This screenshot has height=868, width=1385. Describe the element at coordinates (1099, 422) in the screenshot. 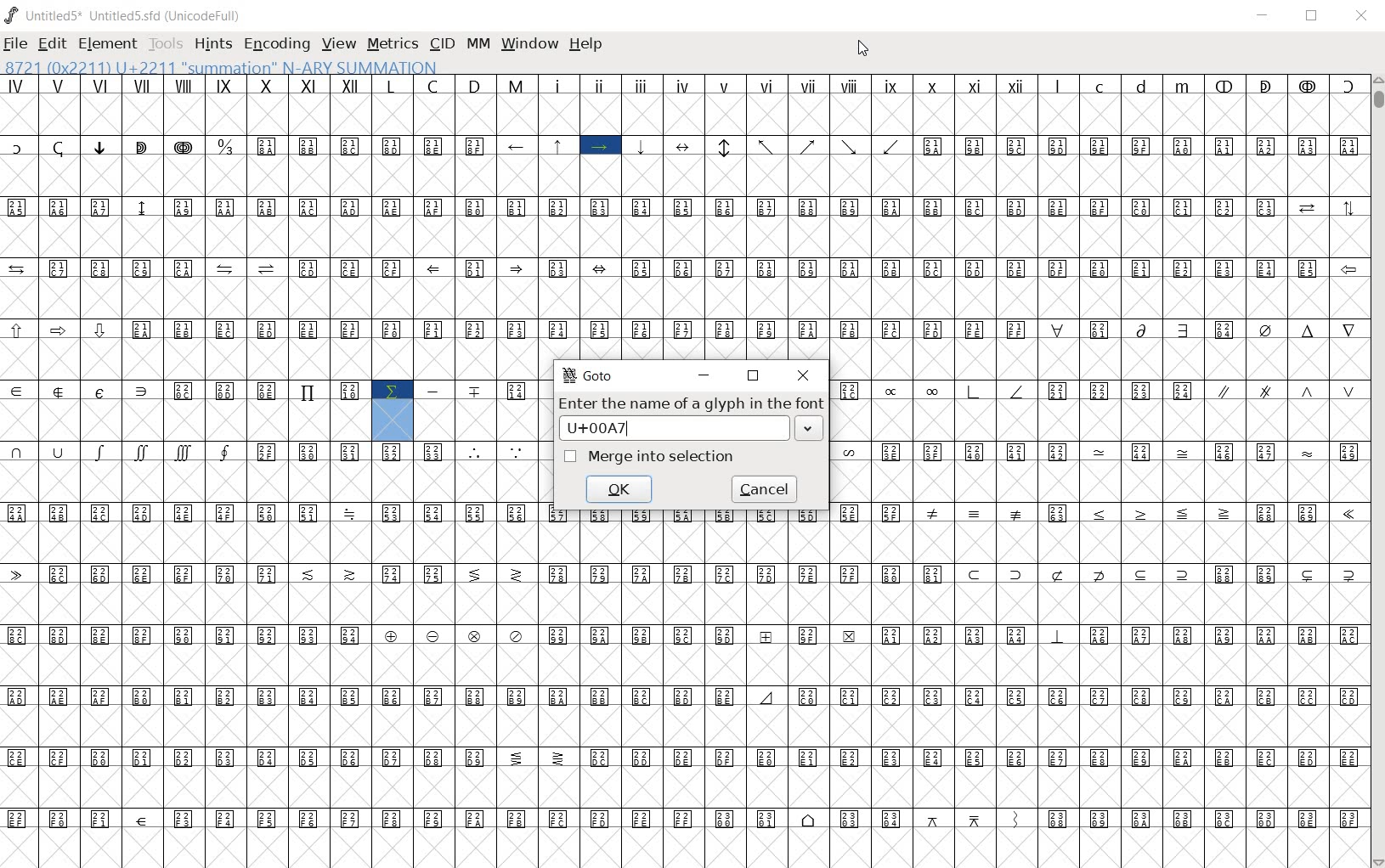

I see `empty cells` at that location.